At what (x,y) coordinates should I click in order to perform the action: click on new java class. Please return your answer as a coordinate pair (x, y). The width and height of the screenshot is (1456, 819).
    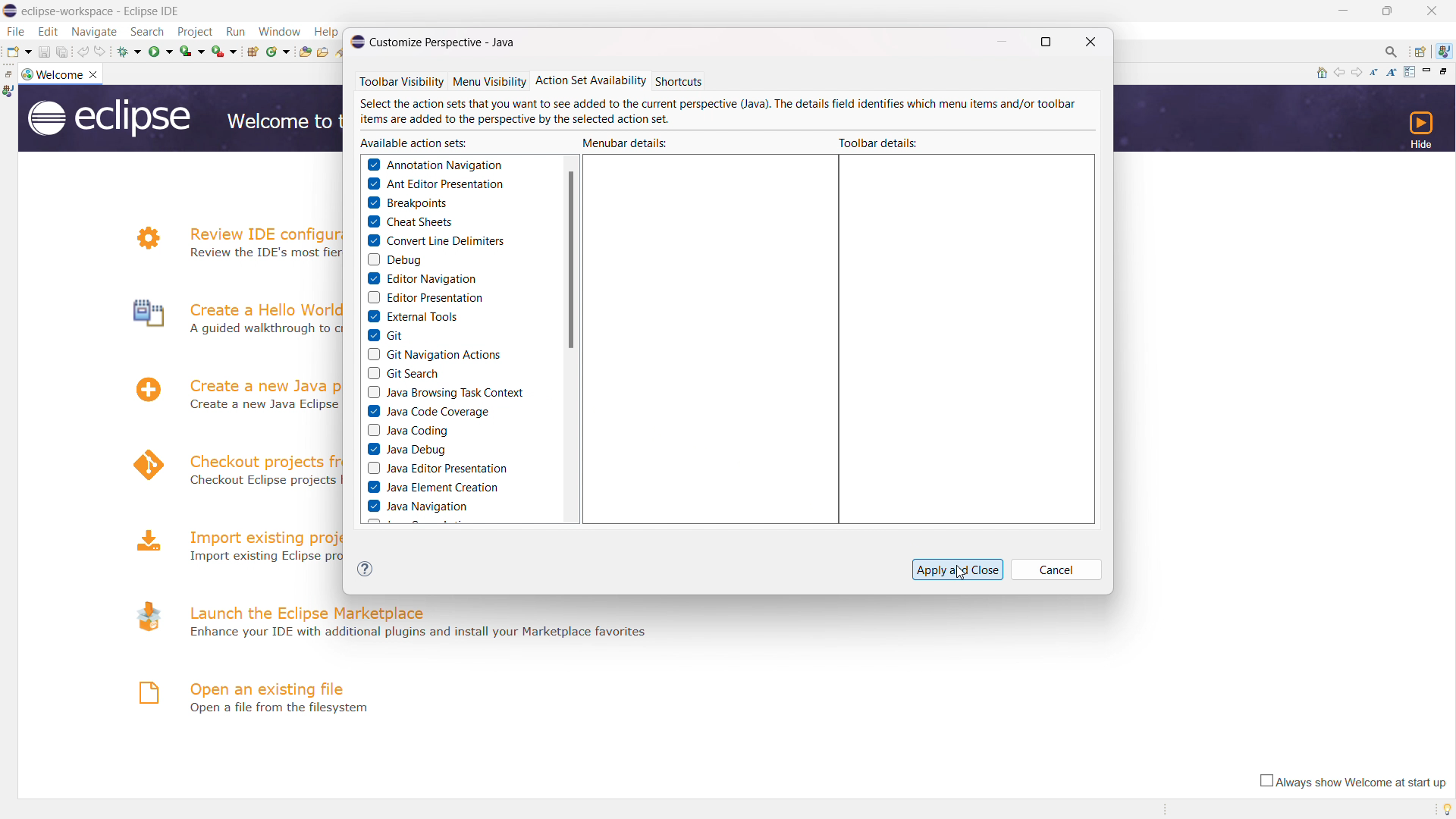
    Looking at the image, I should click on (278, 52).